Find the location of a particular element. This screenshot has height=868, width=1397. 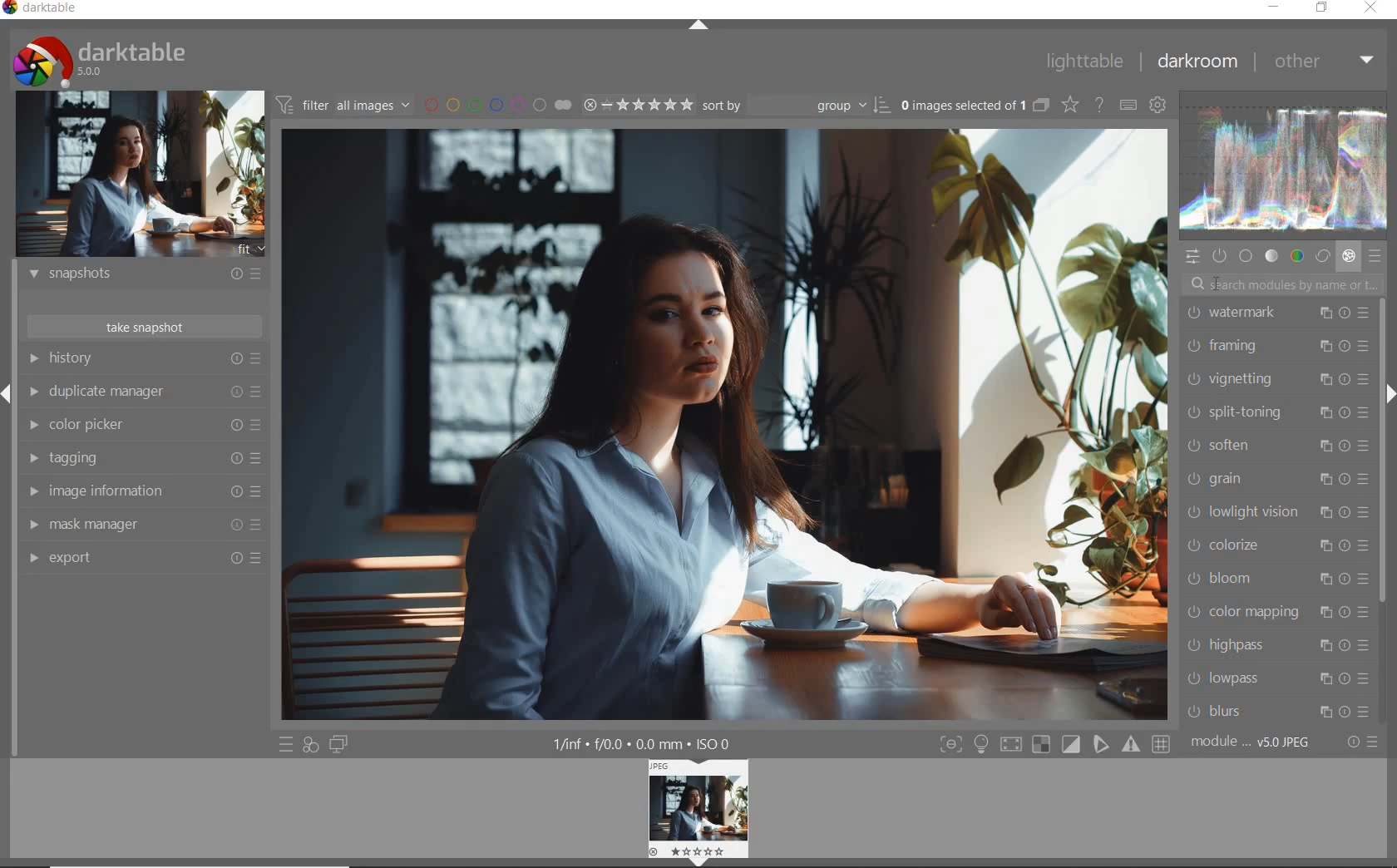

image information is located at coordinates (146, 490).